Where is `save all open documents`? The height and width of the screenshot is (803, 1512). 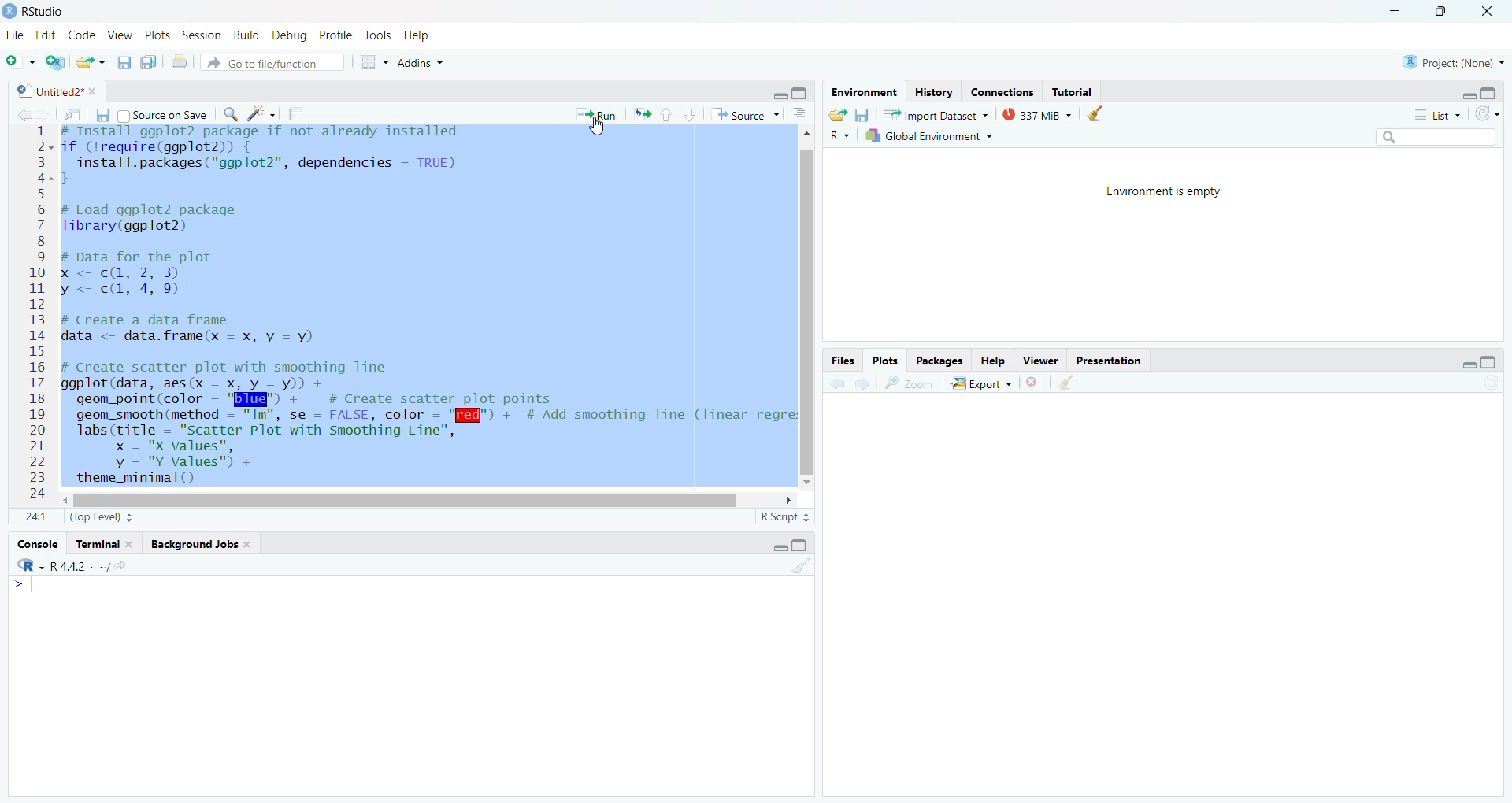 save all open documents is located at coordinates (149, 62).